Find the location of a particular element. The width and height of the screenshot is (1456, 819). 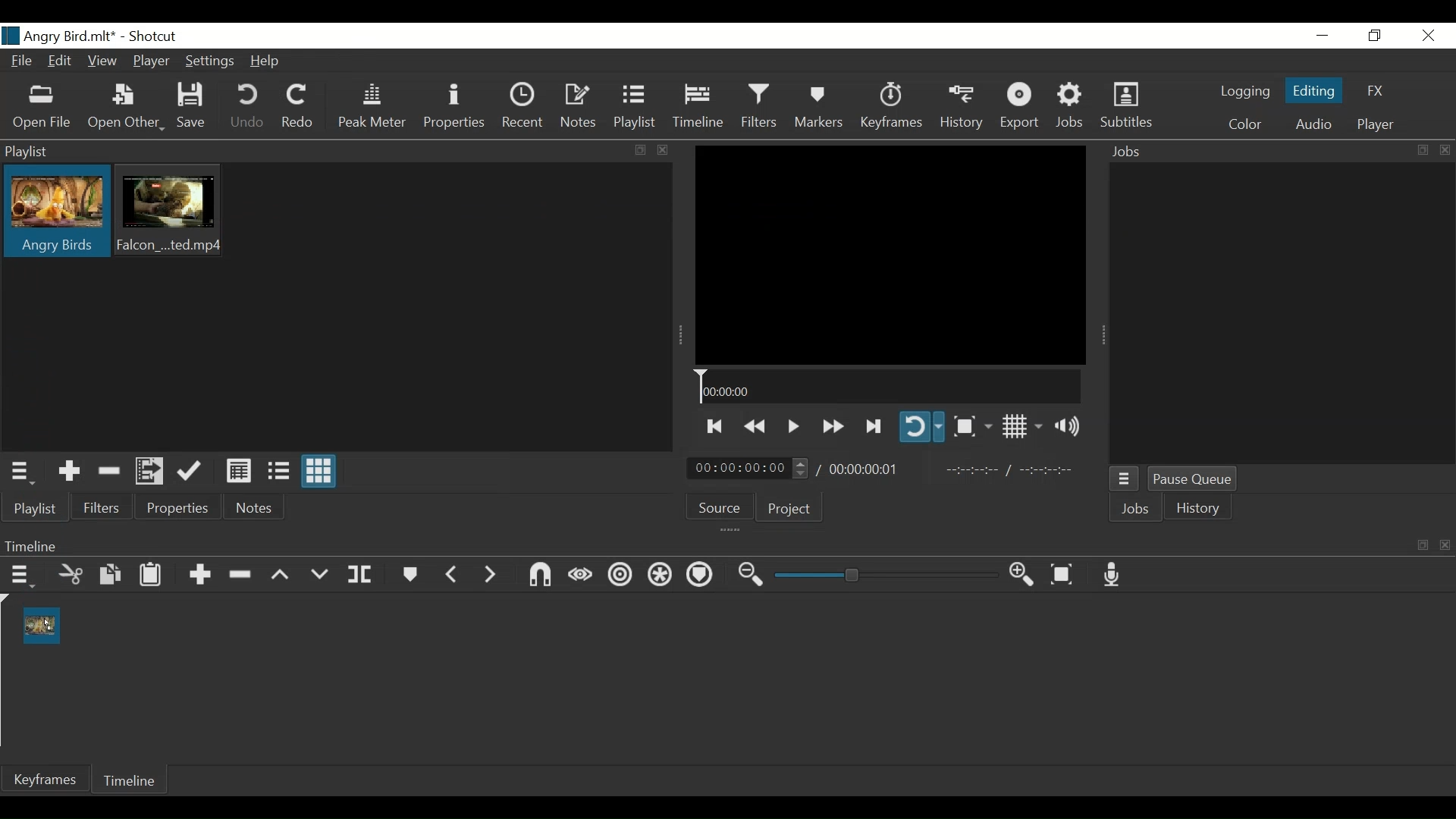

Peak Meter is located at coordinates (372, 108).